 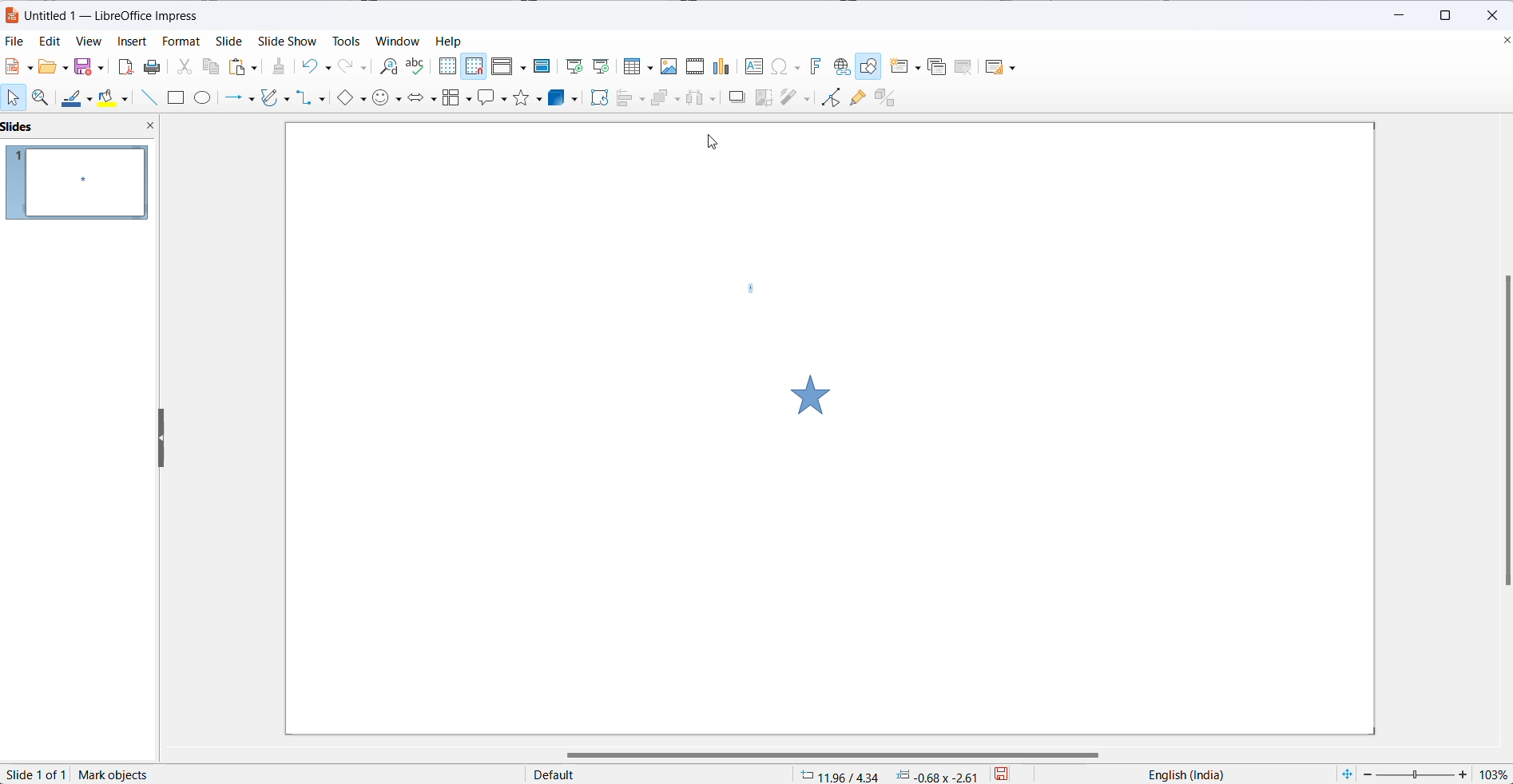 I want to click on NEW SLIDE, so click(x=907, y=66).